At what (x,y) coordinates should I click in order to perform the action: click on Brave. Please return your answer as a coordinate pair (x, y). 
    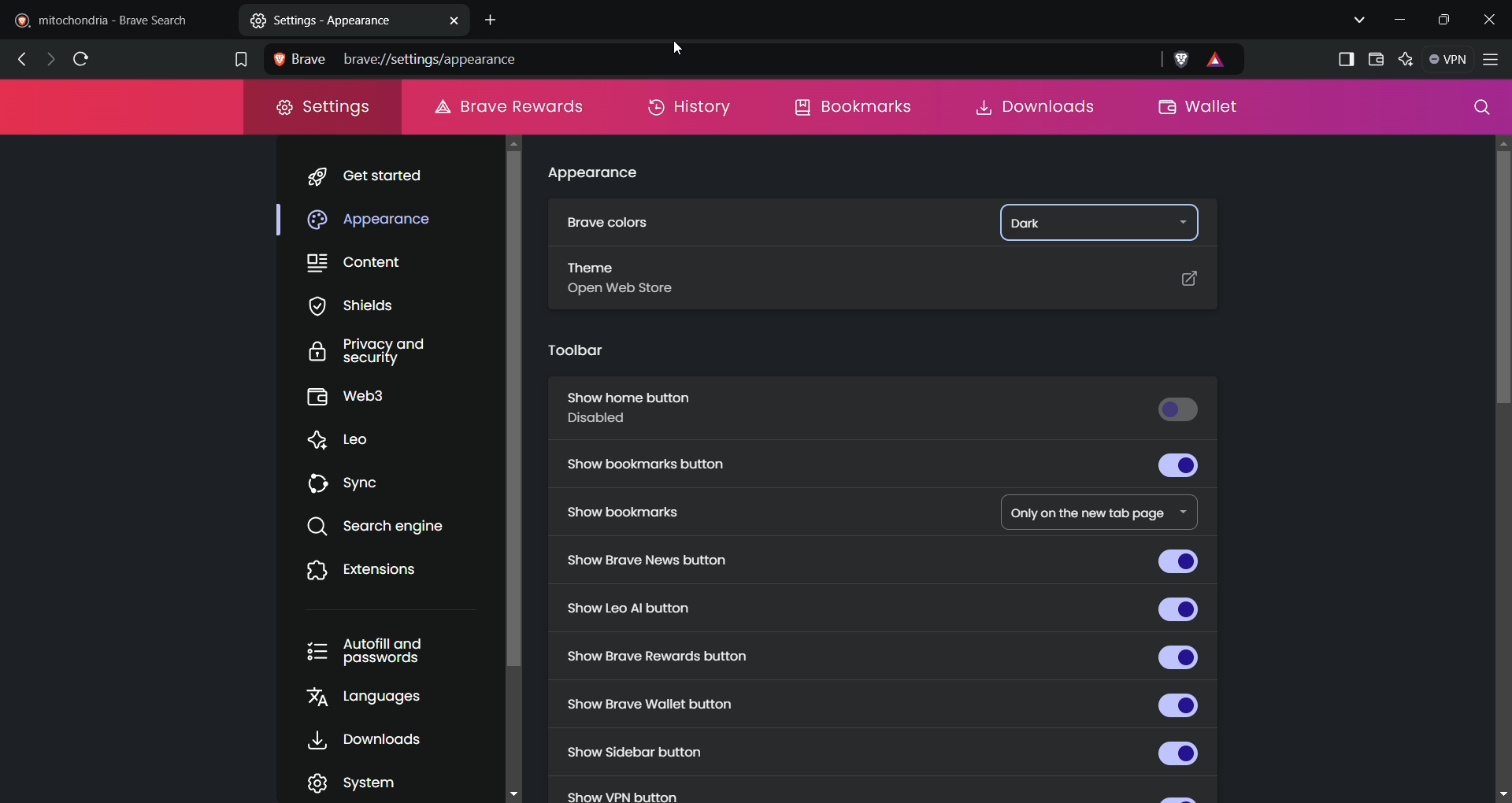
    Looking at the image, I should click on (298, 58).